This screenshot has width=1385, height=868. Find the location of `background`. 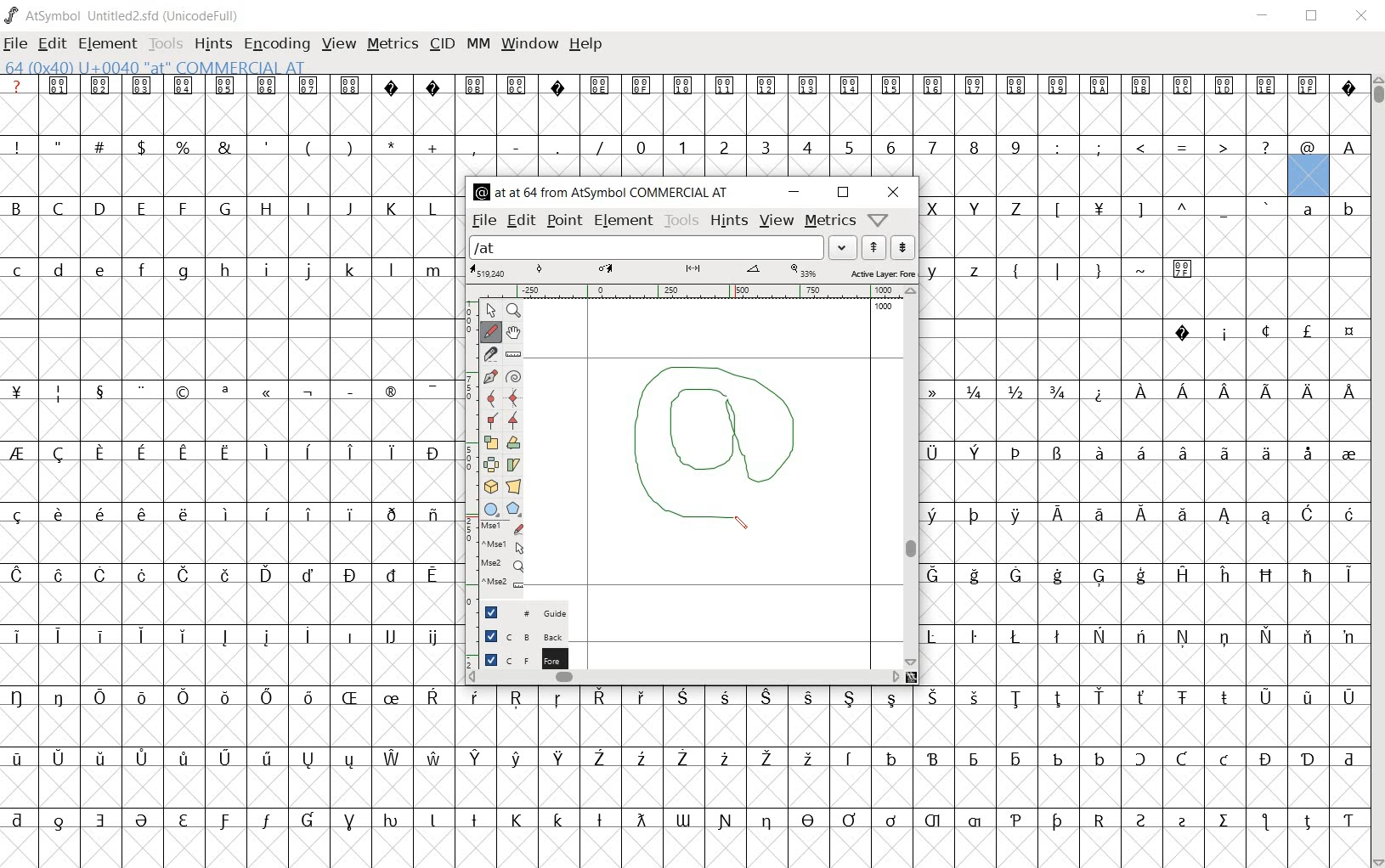

background is located at coordinates (540, 635).